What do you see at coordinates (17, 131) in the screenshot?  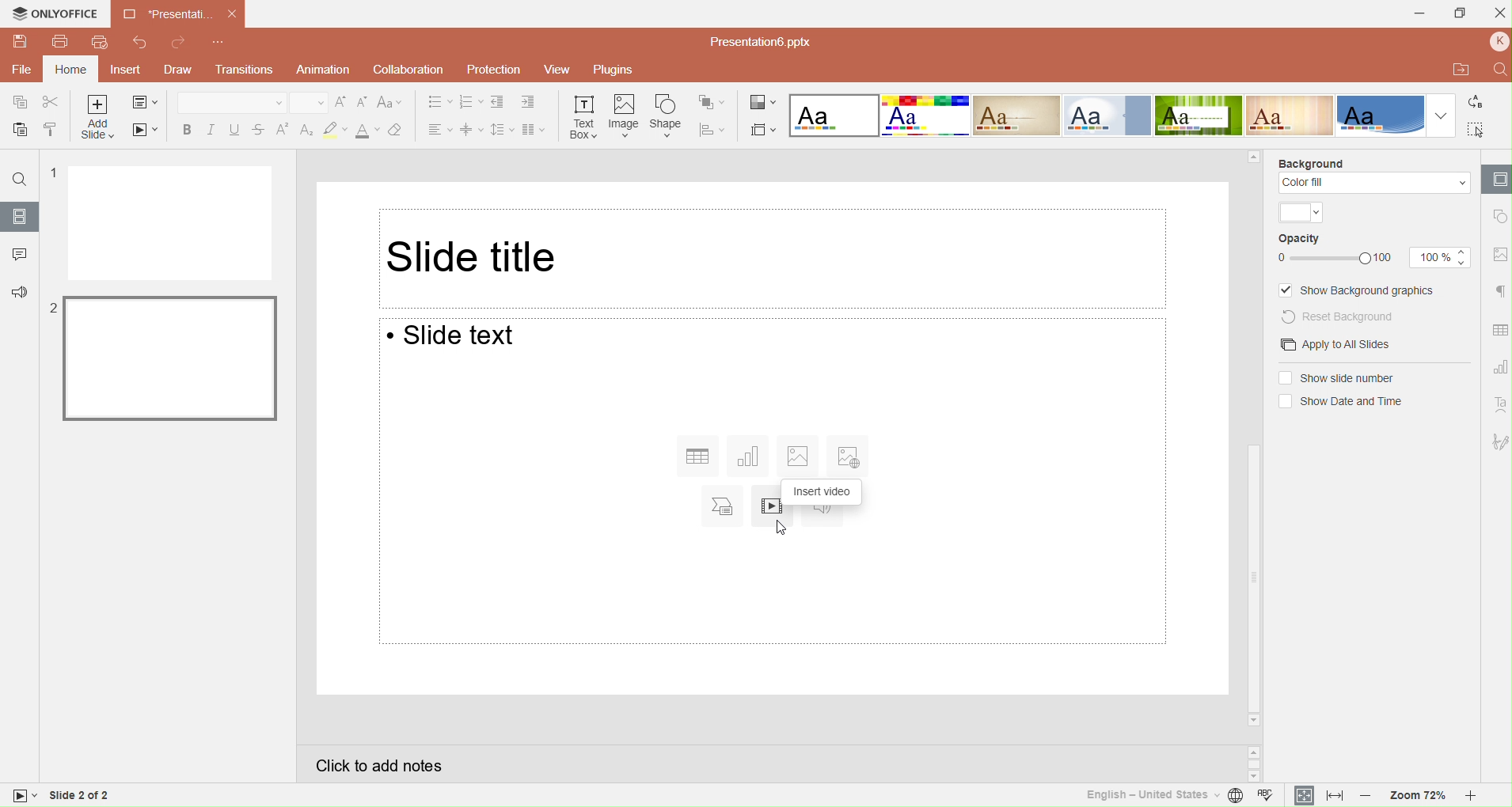 I see `Paste` at bounding box center [17, 131].